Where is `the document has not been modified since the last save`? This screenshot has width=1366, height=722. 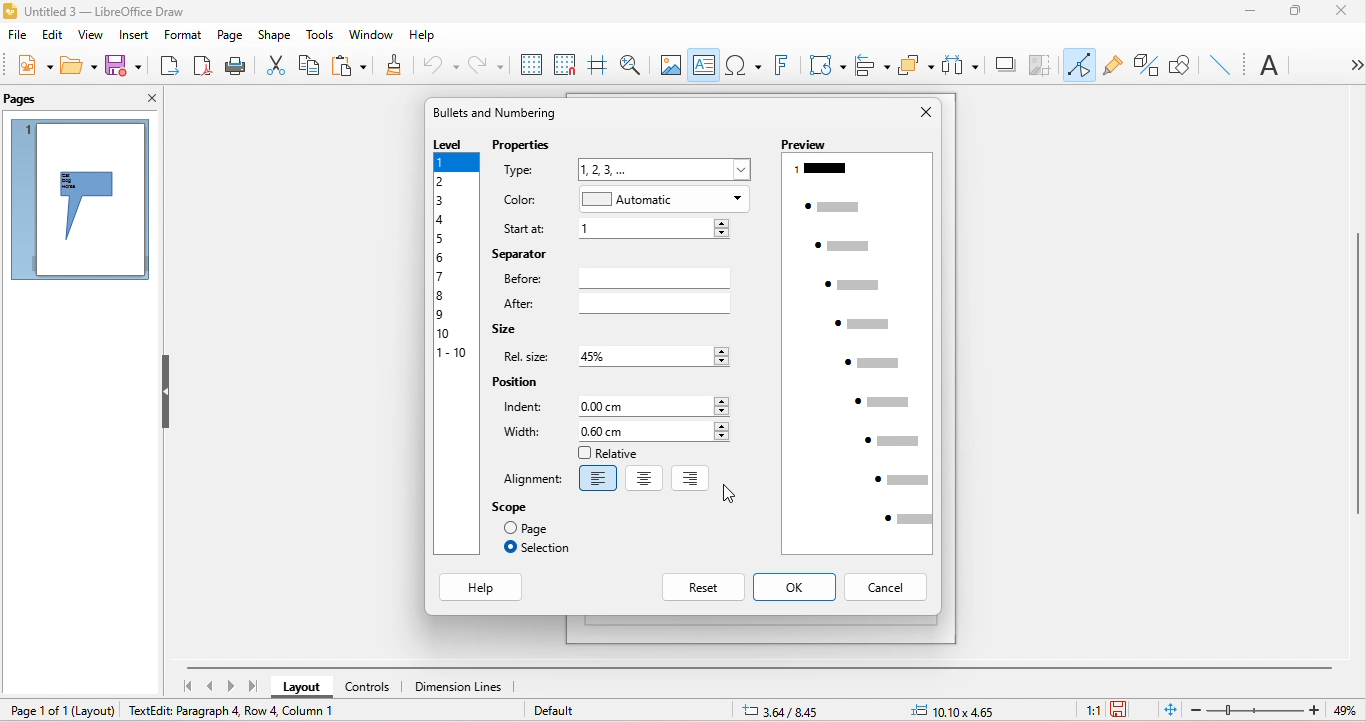
the document has not been modified since the last save is located at coordinates (1130, 710).